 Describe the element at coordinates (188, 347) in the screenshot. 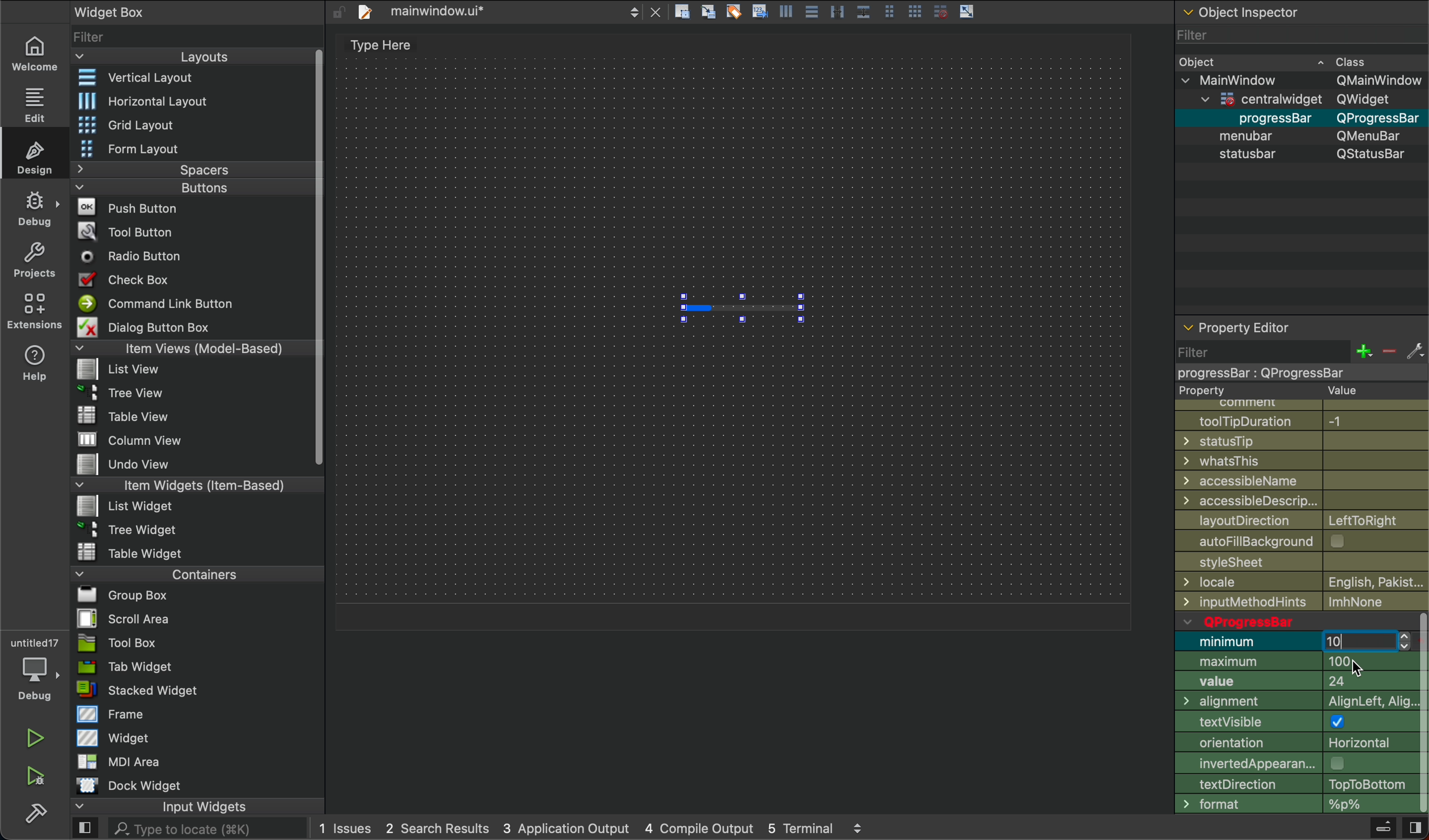

I see `Items View` at that location.